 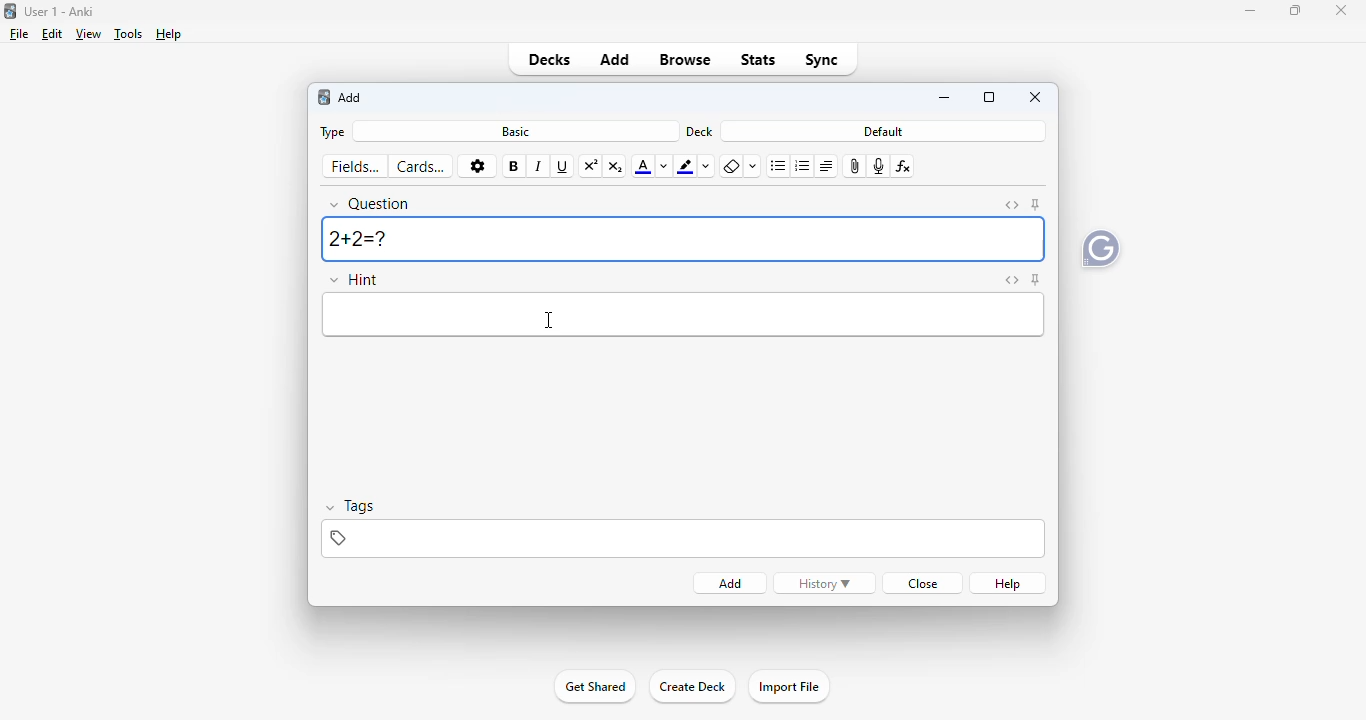 I want to click on italic, so click(x=539, y=167).